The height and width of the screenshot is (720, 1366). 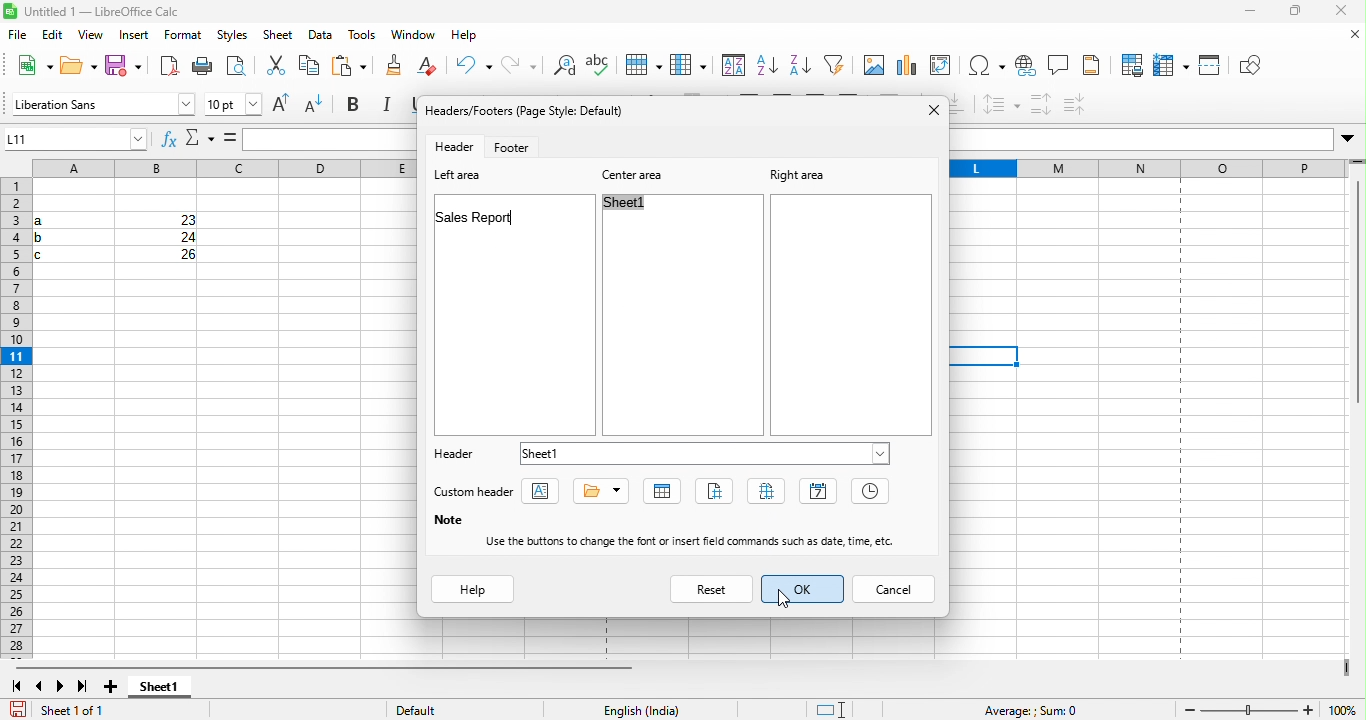 I want to click on chat, so click(x=870, y=67).